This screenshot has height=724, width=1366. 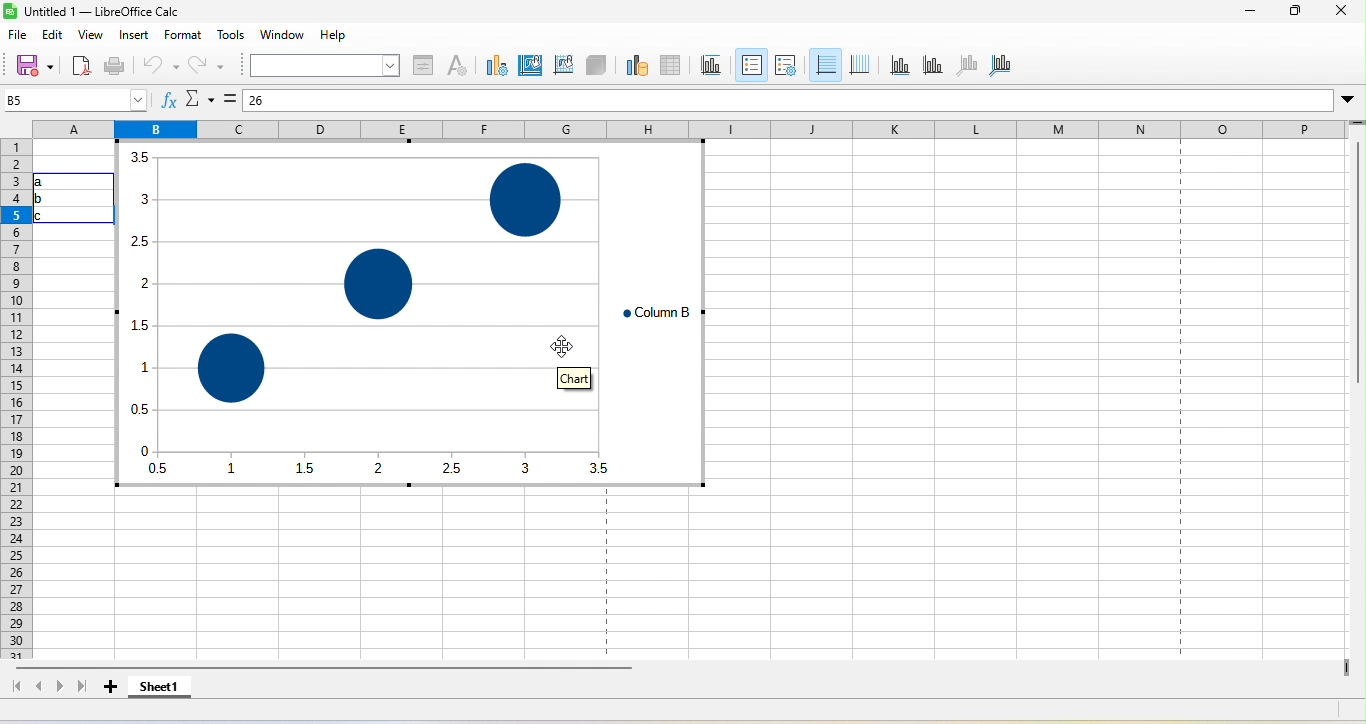 I want to click on format, so click(x=179, y=36).